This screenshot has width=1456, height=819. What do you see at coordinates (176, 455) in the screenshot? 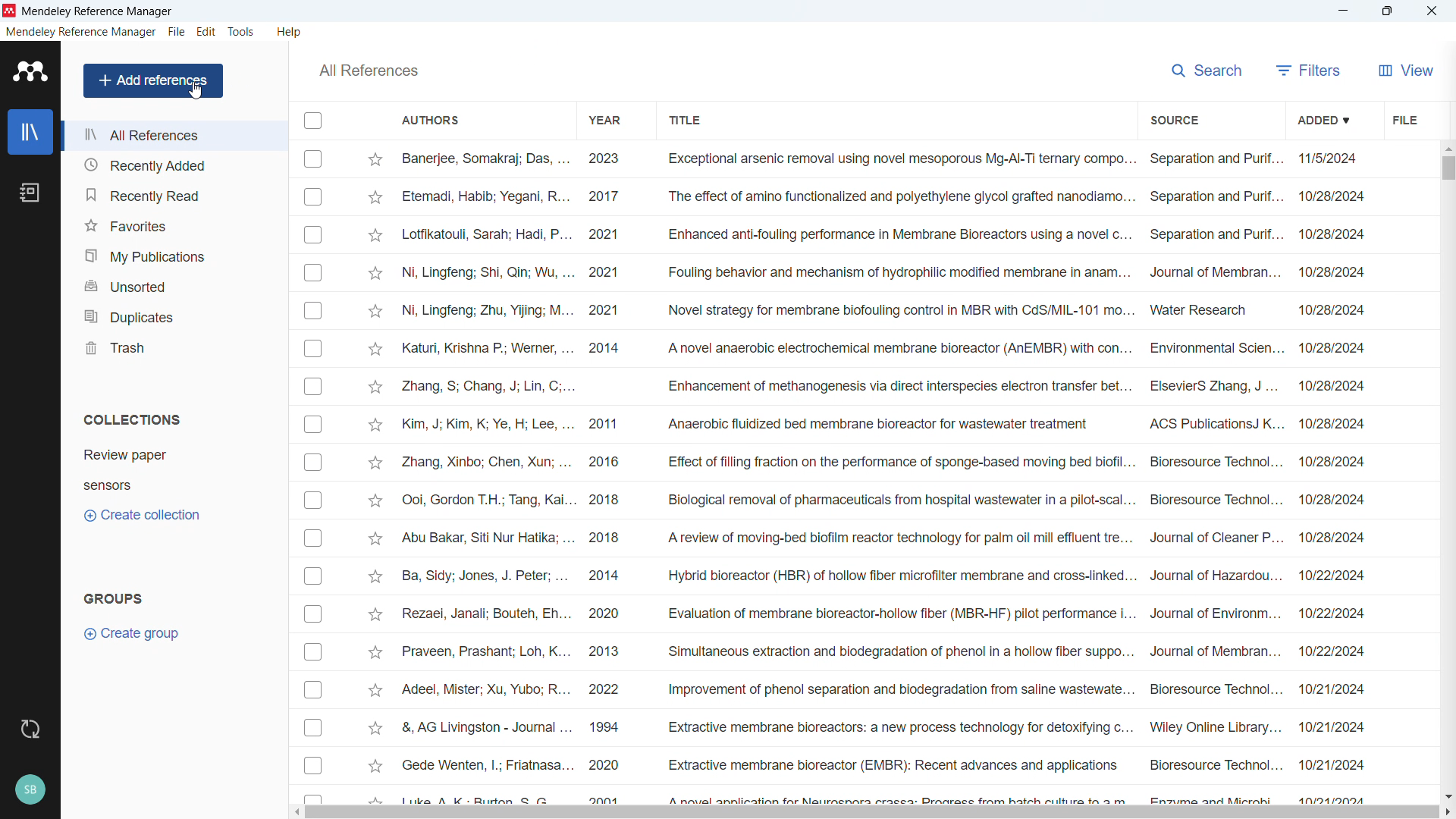
I see `Collection 1` at bounding box center [176, 455].